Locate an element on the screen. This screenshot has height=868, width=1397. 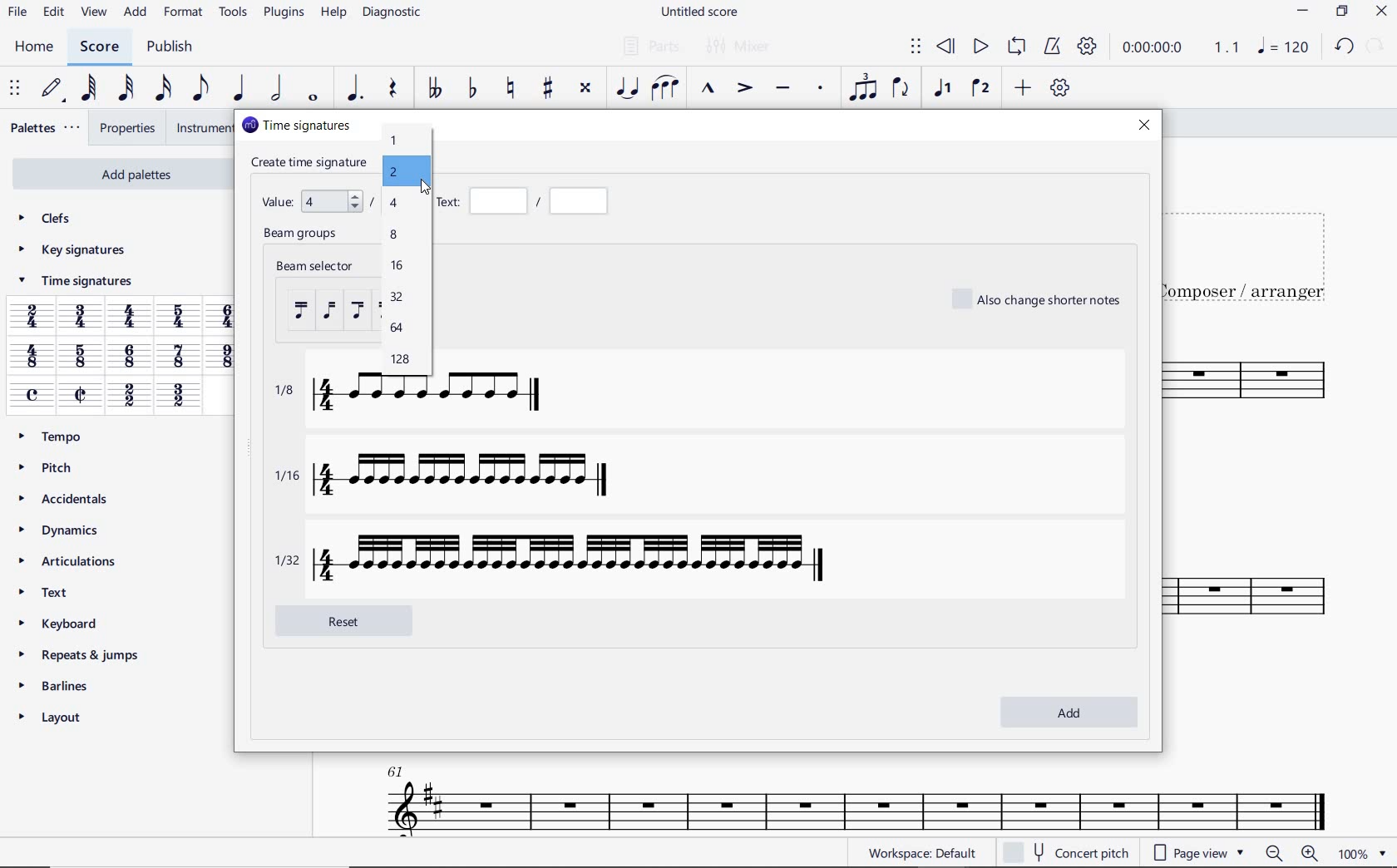
DYNAMICS is located at coordinates (62, 530).